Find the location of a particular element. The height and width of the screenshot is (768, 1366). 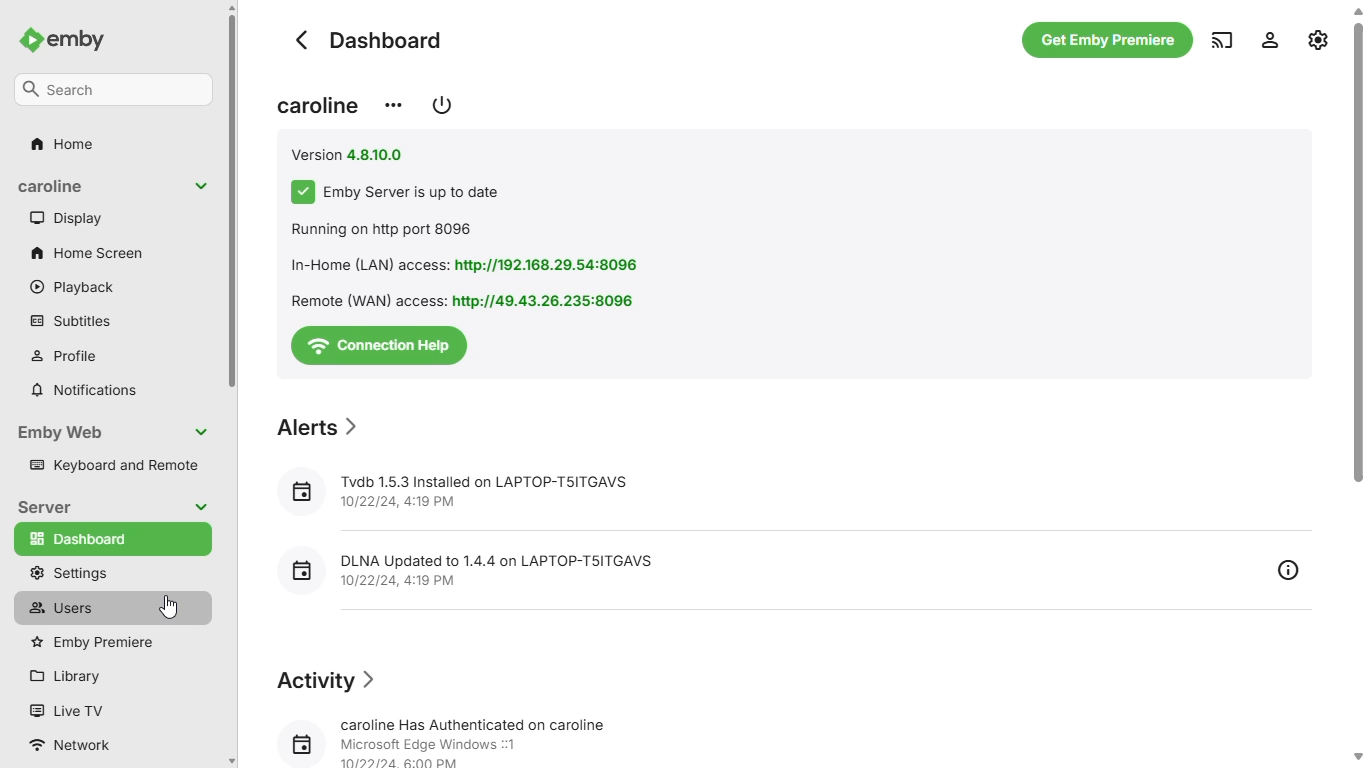

get emby premiere is located at coordinates (1109, 39).